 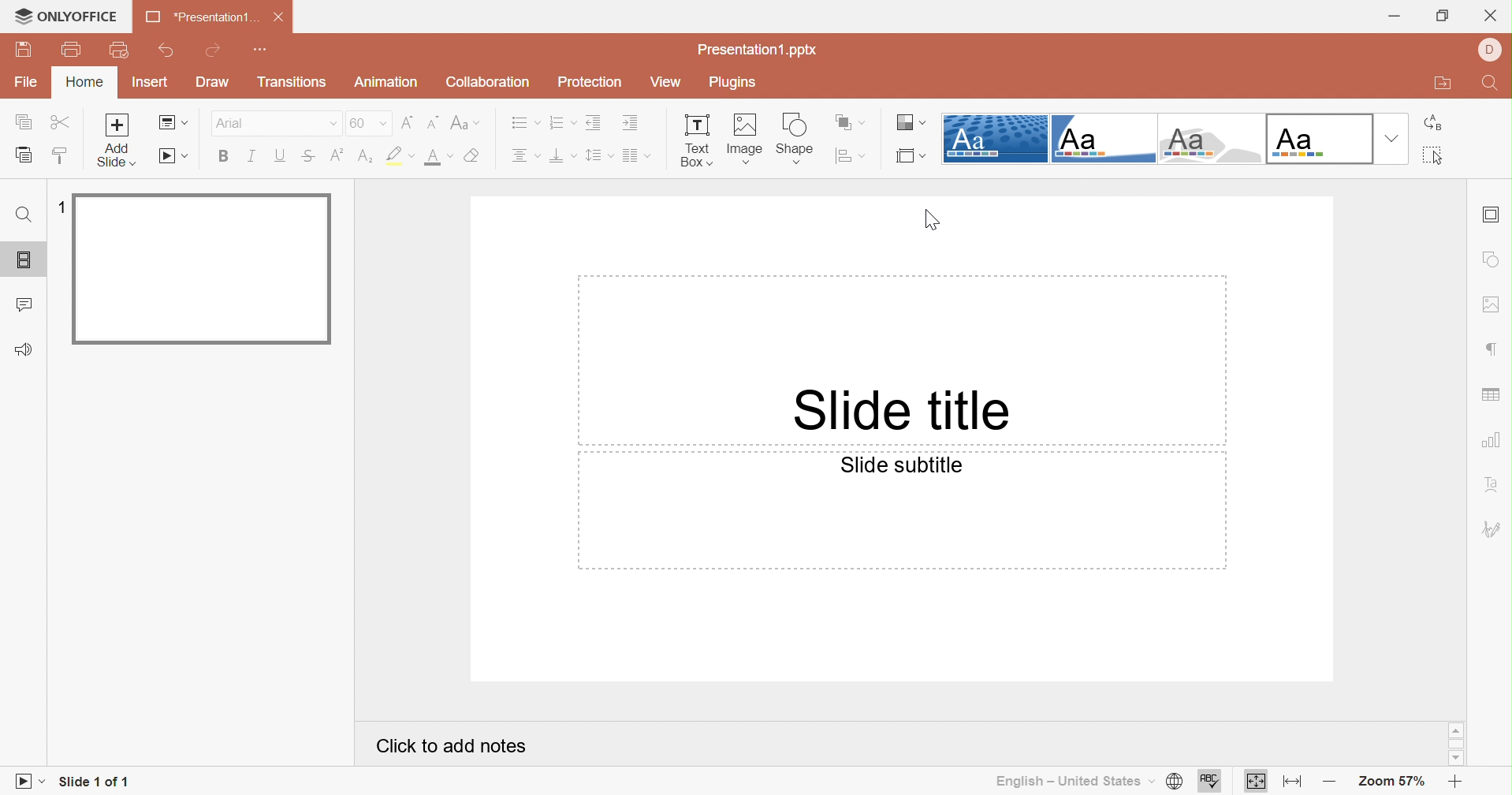 What do you see at coordinates (911, 123) in the screenshot?
I see `Change color theme` at bounding box center [911, 123].